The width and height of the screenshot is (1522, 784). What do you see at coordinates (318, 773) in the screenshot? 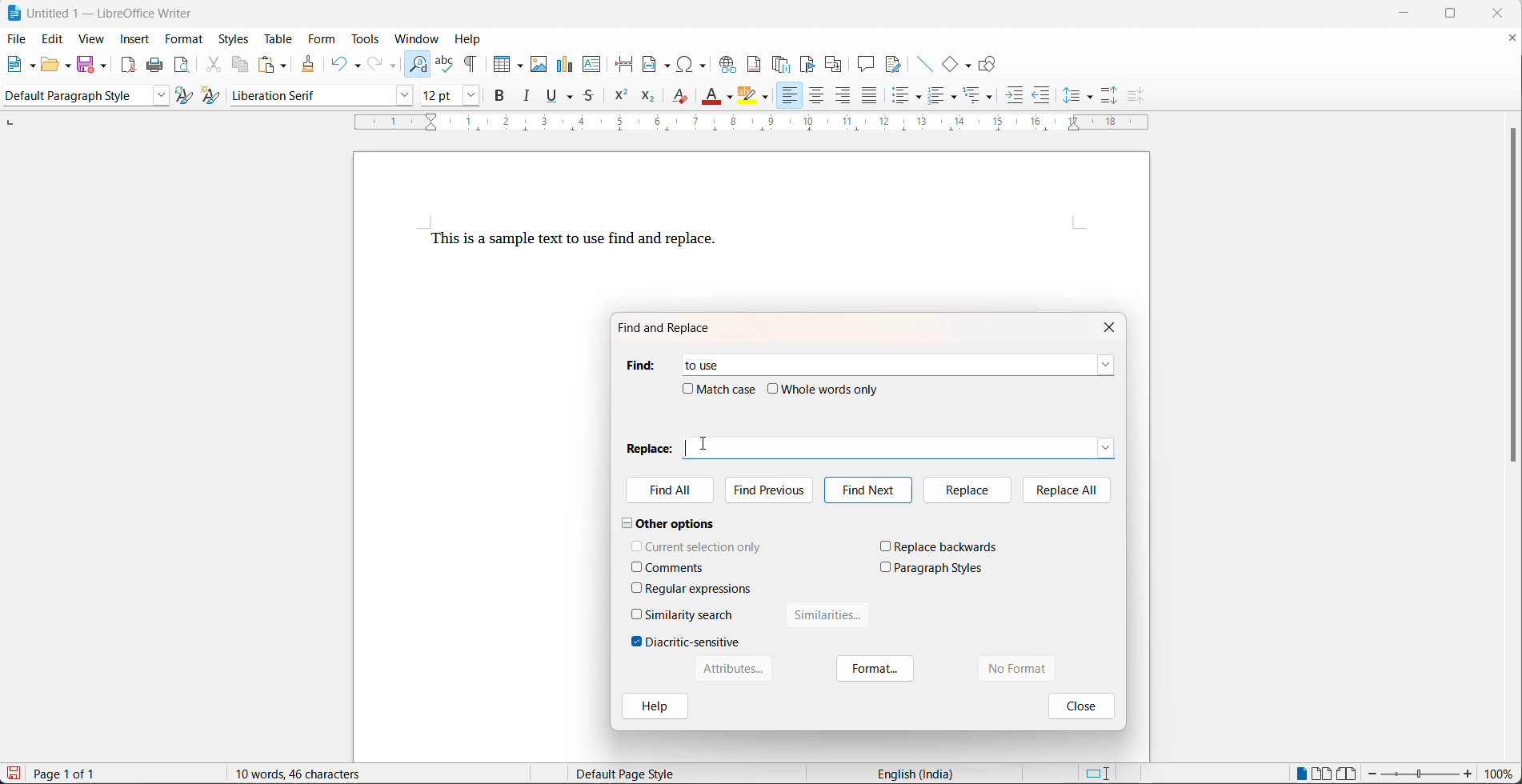
I see `10 words, 46 characters` at bounding box center [318, 773].